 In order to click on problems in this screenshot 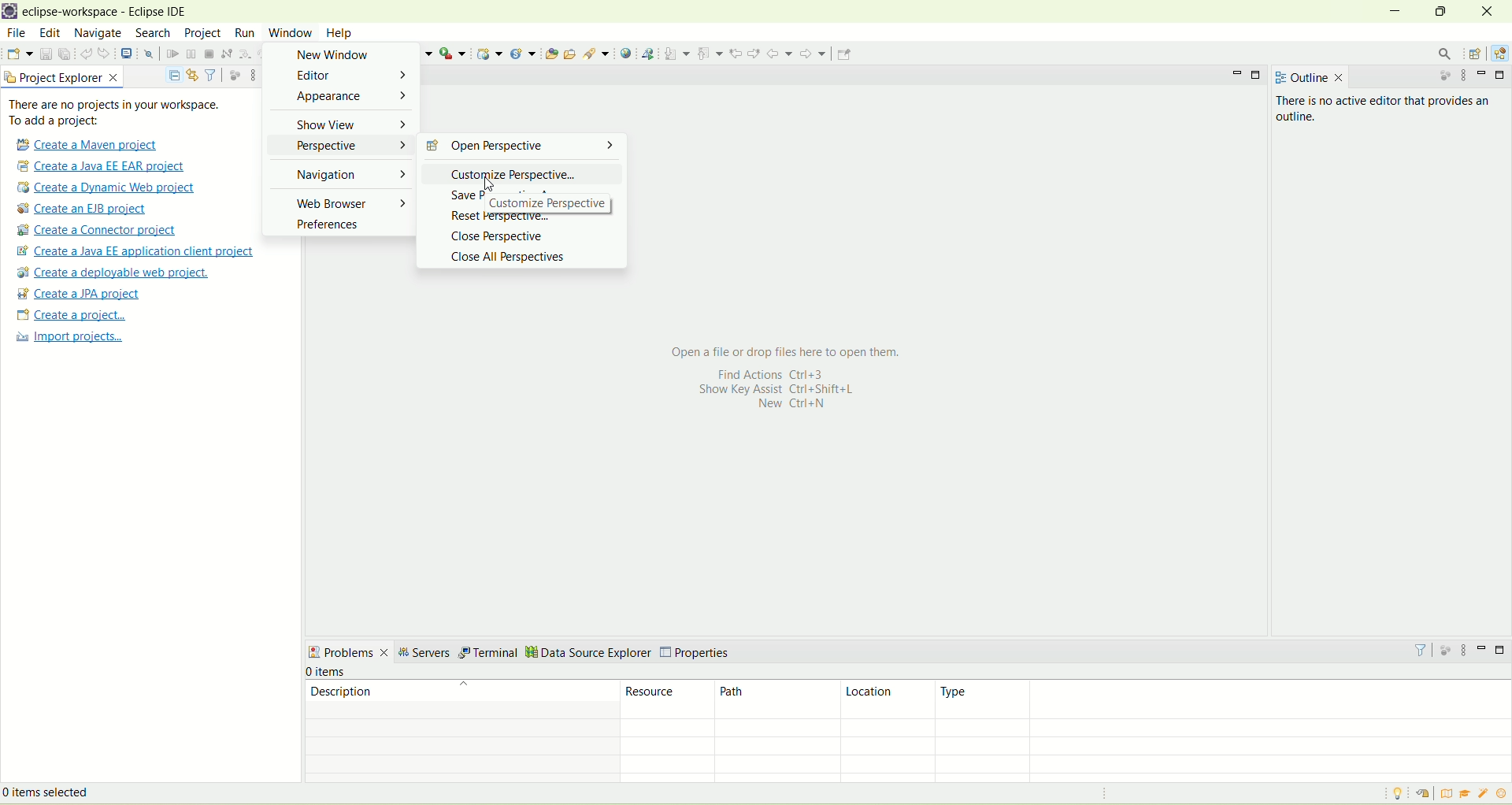, I will do `click(348, 654)`.